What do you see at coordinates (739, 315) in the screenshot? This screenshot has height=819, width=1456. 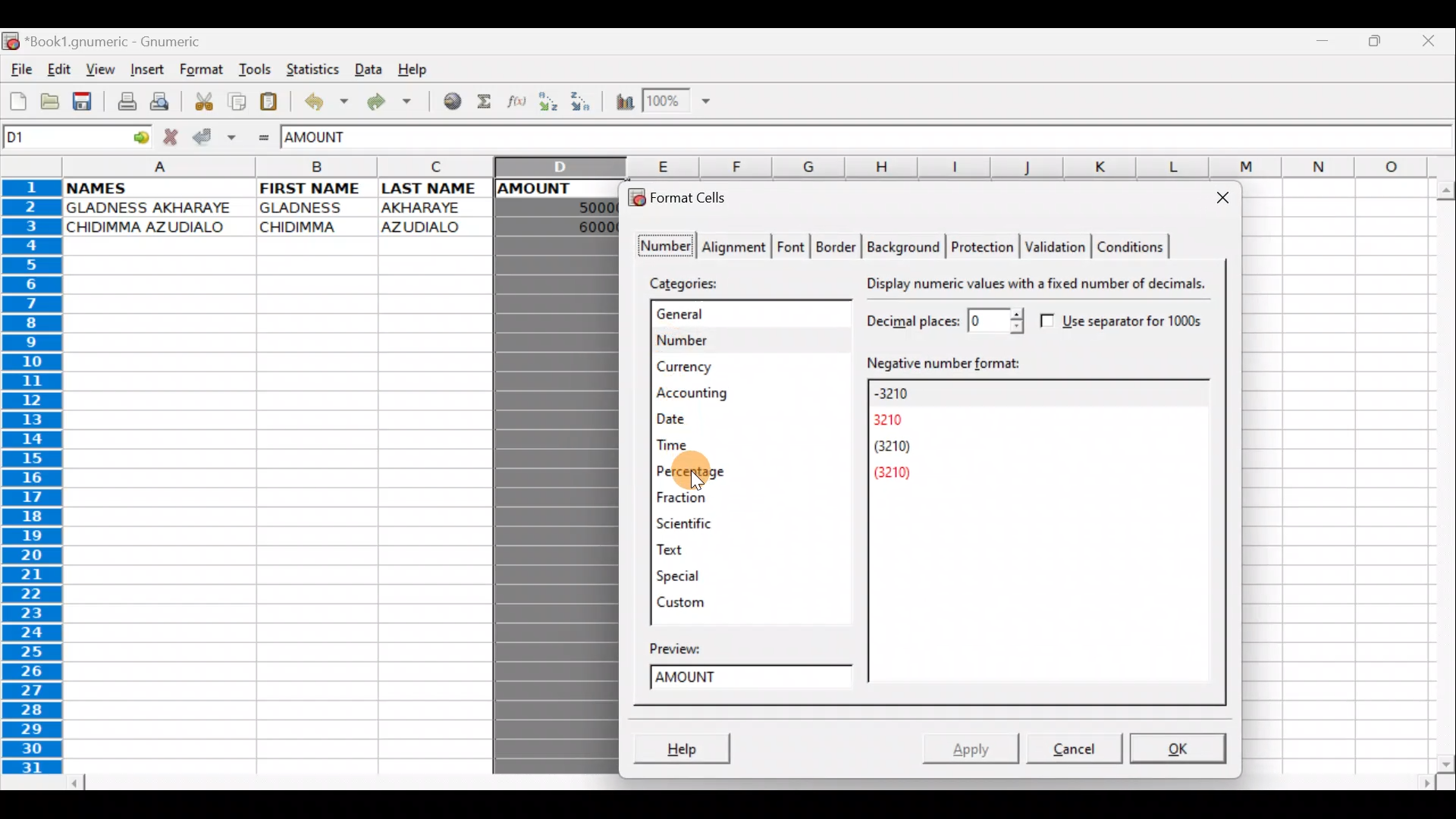 I see `General` at bounding box center [739, 315].